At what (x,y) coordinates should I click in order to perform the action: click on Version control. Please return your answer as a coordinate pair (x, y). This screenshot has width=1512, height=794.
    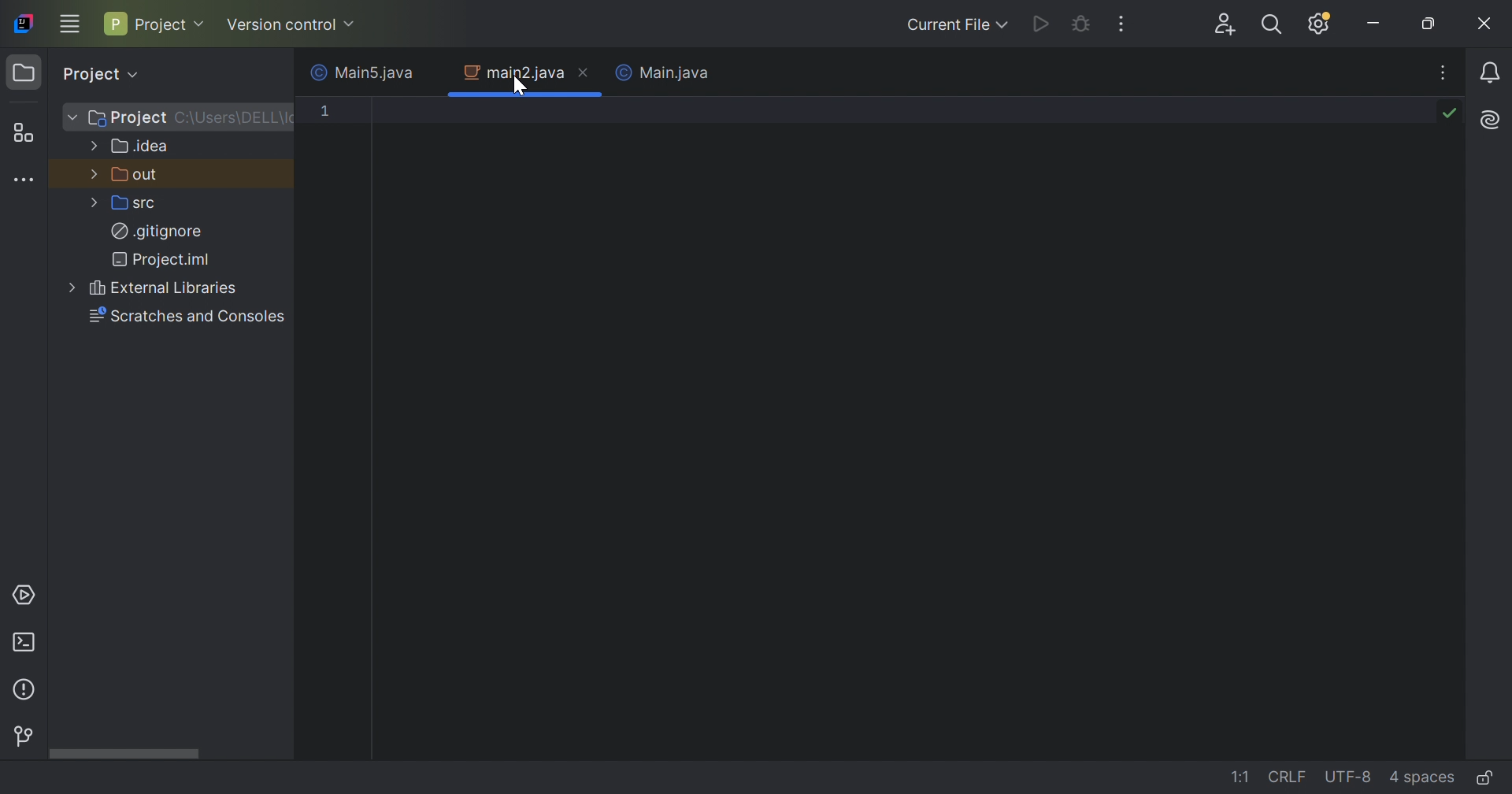
    Looking at the image, I should click on (291, 25).